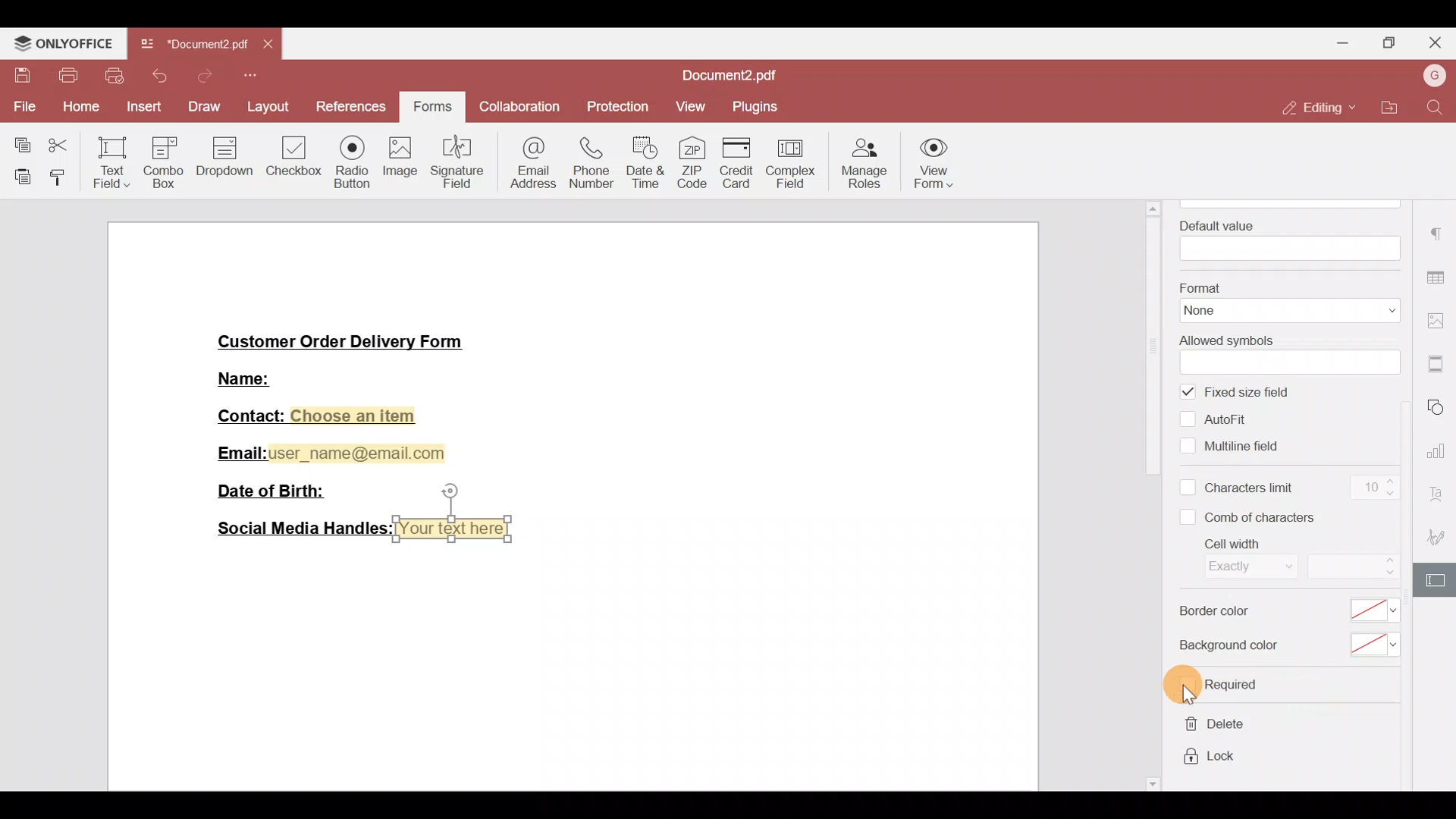 The height and width of the screenshot is (819, 1456). Describe the element at coordinates (1285, 614) in the screenshot. I see `Border color` at that location.